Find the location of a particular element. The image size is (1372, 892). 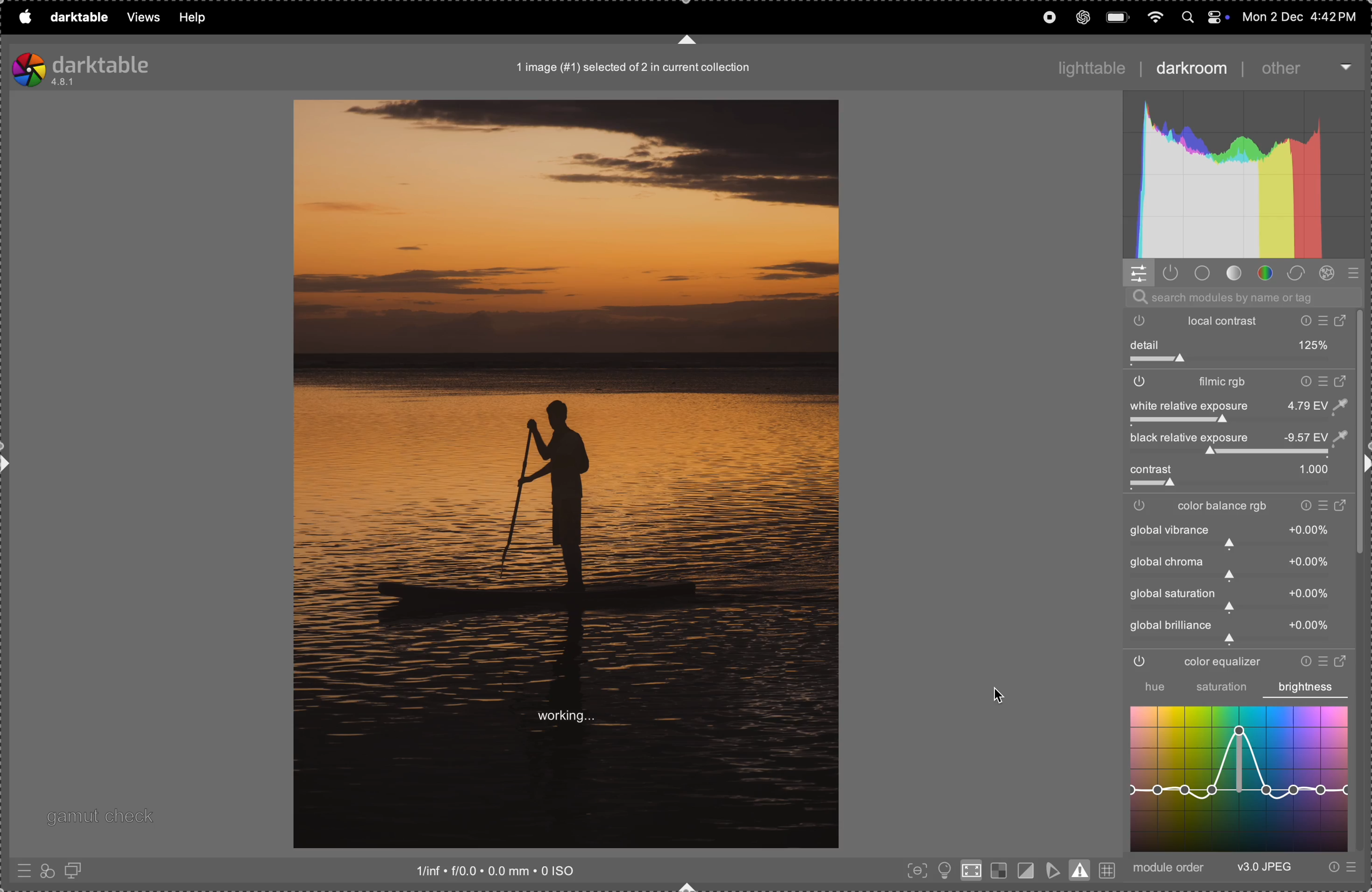

color graph is located at coordinates (1239, 778).